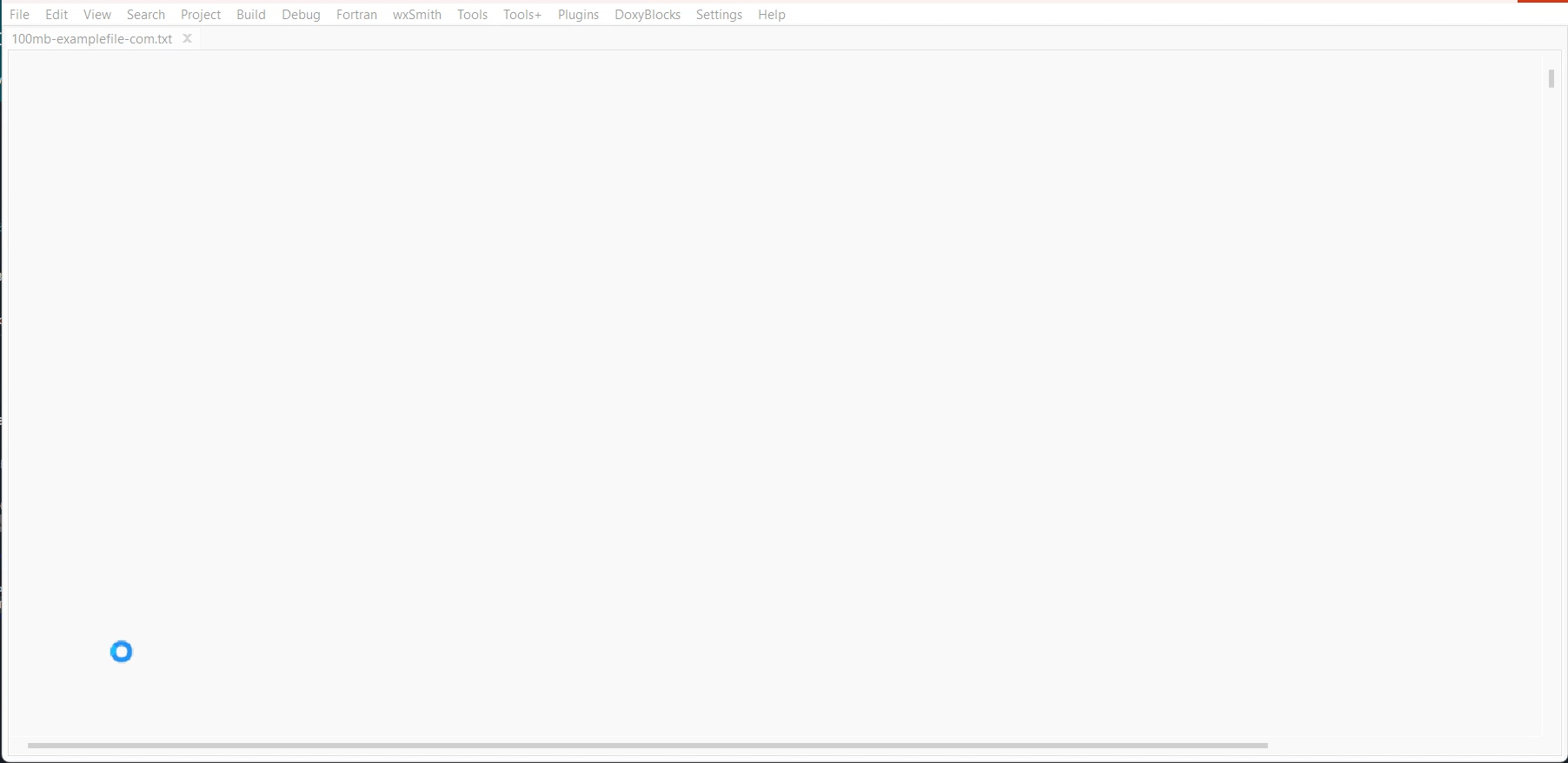  I want to click on Settings, so click(719, 15).